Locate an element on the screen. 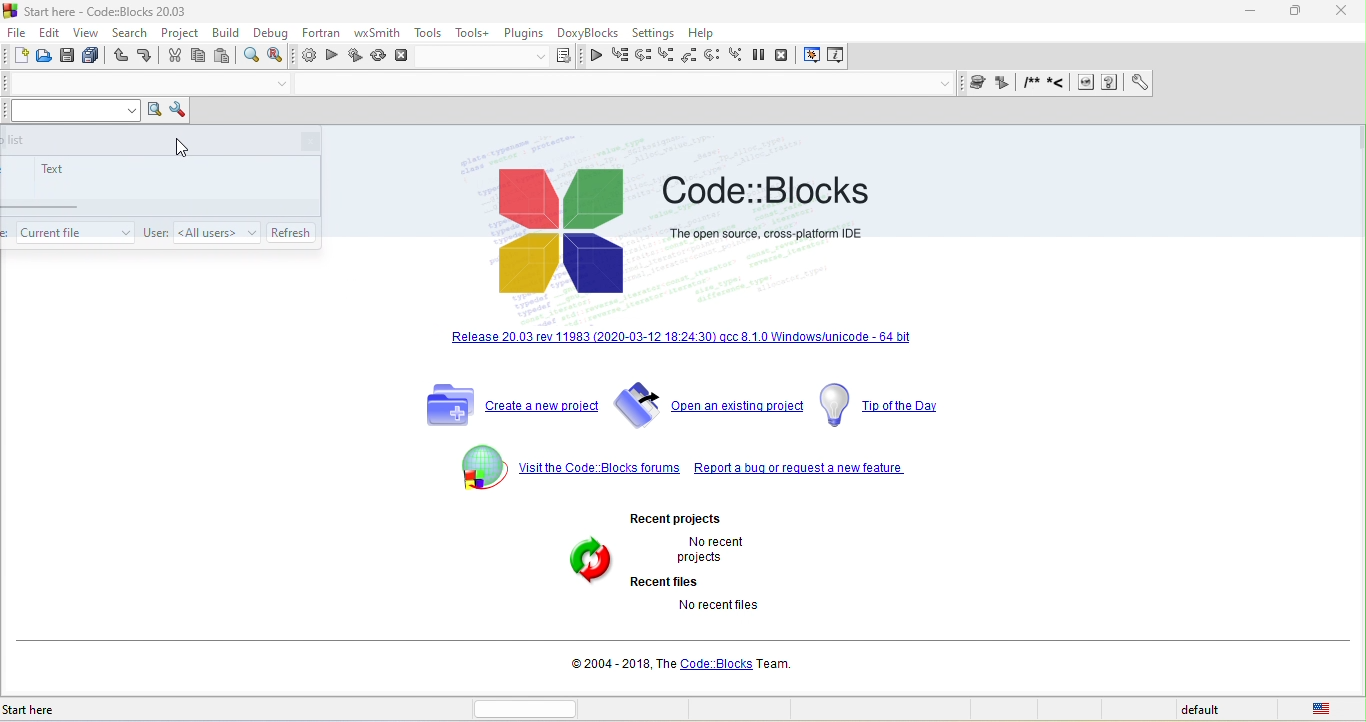 The image size is (1366, 722). 2004-2018 the code blocks team is located at coordinates (686, 663).